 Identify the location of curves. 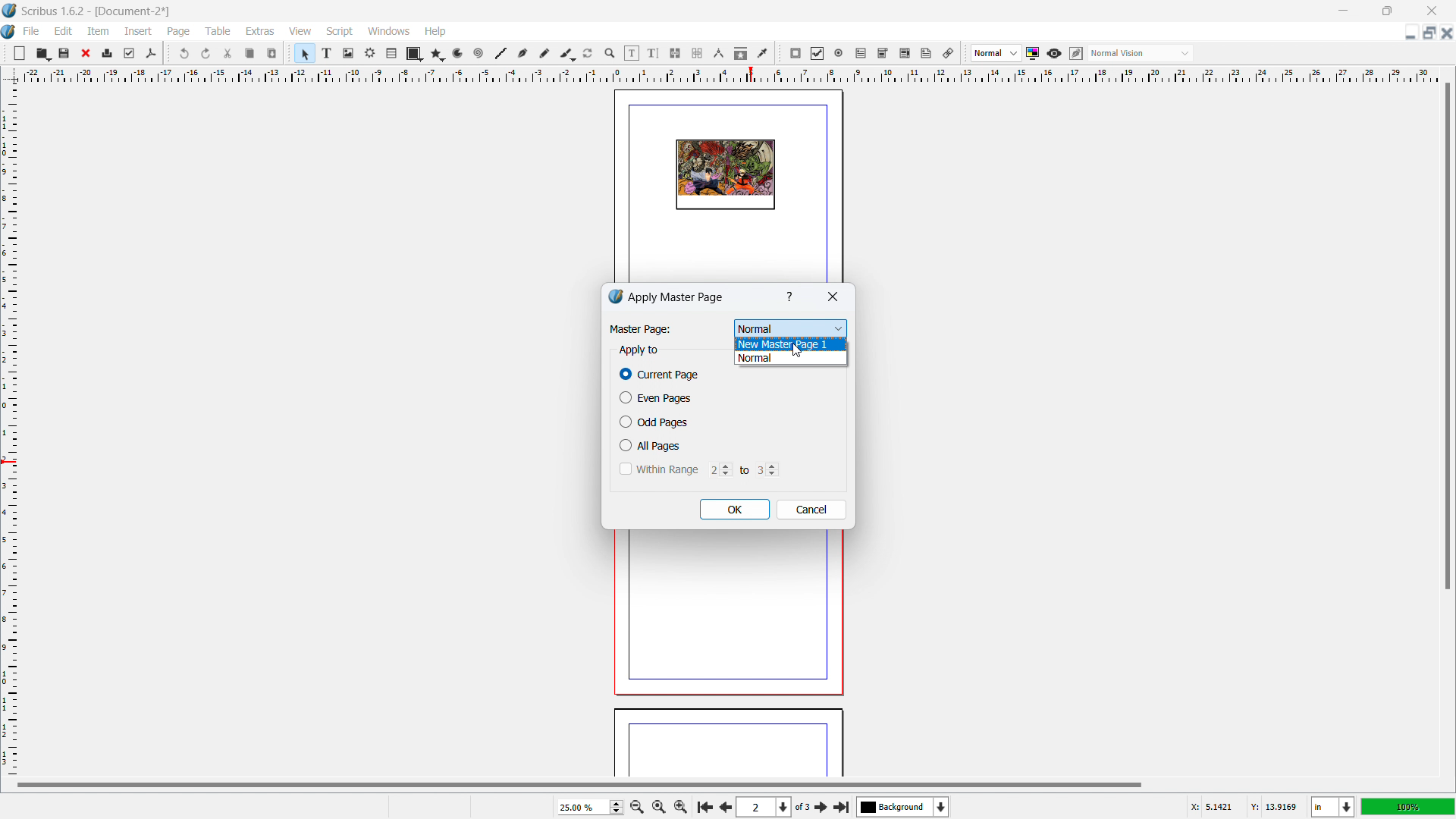
(460, 54).